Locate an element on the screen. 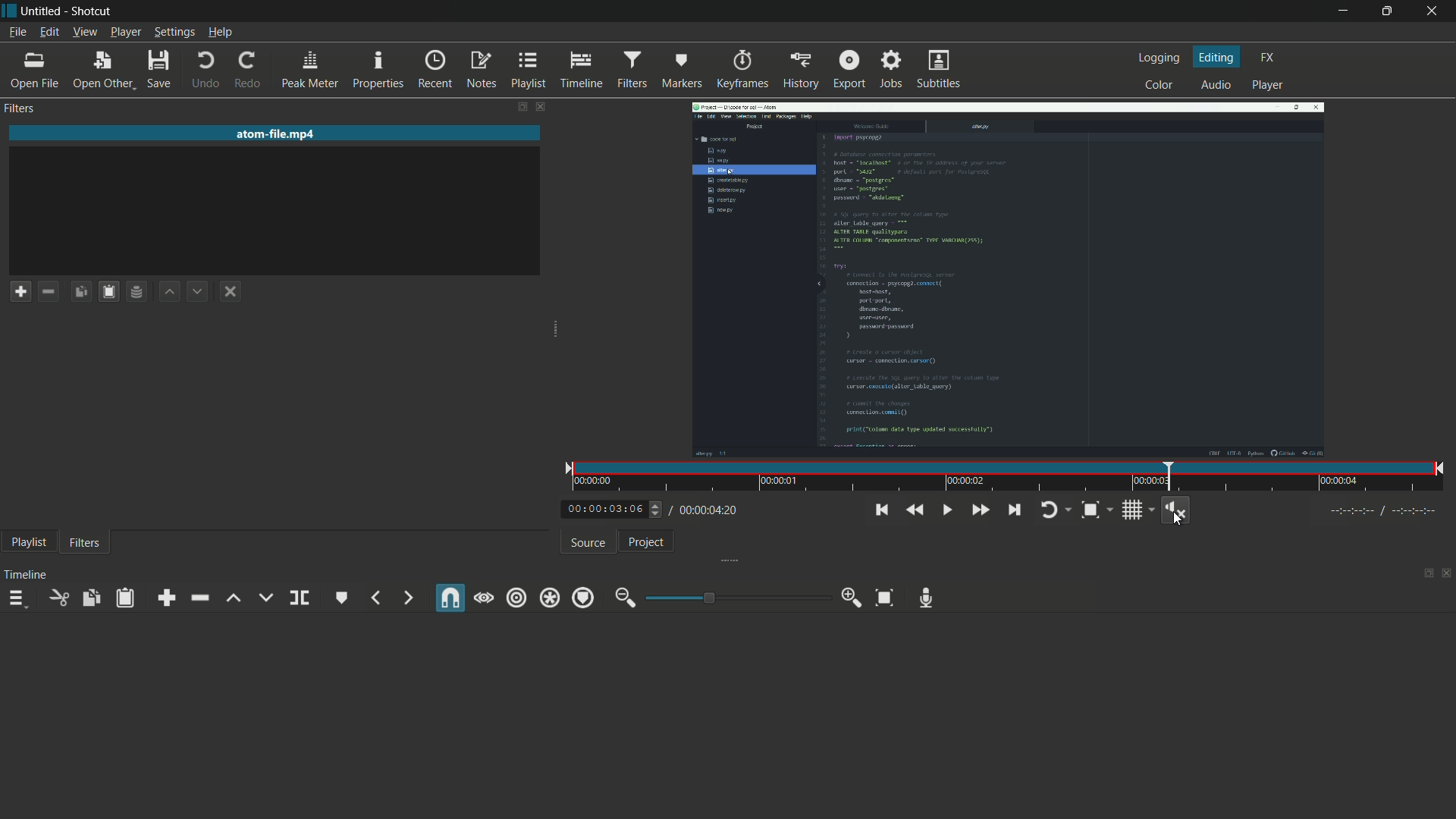 This screenshot has width=1456, height=819. show volume control is located at coordinates (1177, 509).